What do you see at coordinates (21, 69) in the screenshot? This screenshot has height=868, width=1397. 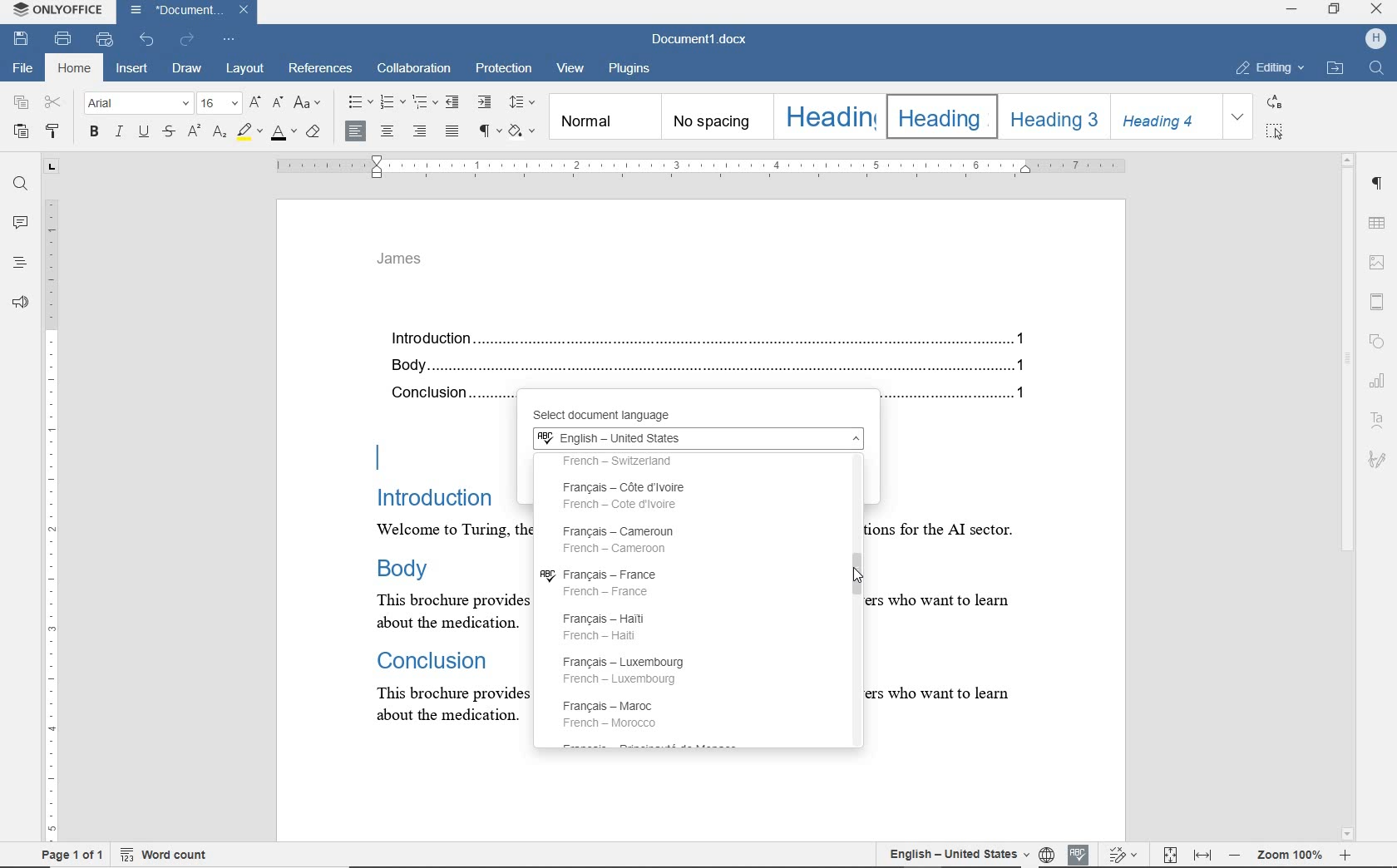 I see `file` at bounding box center [21, 69].